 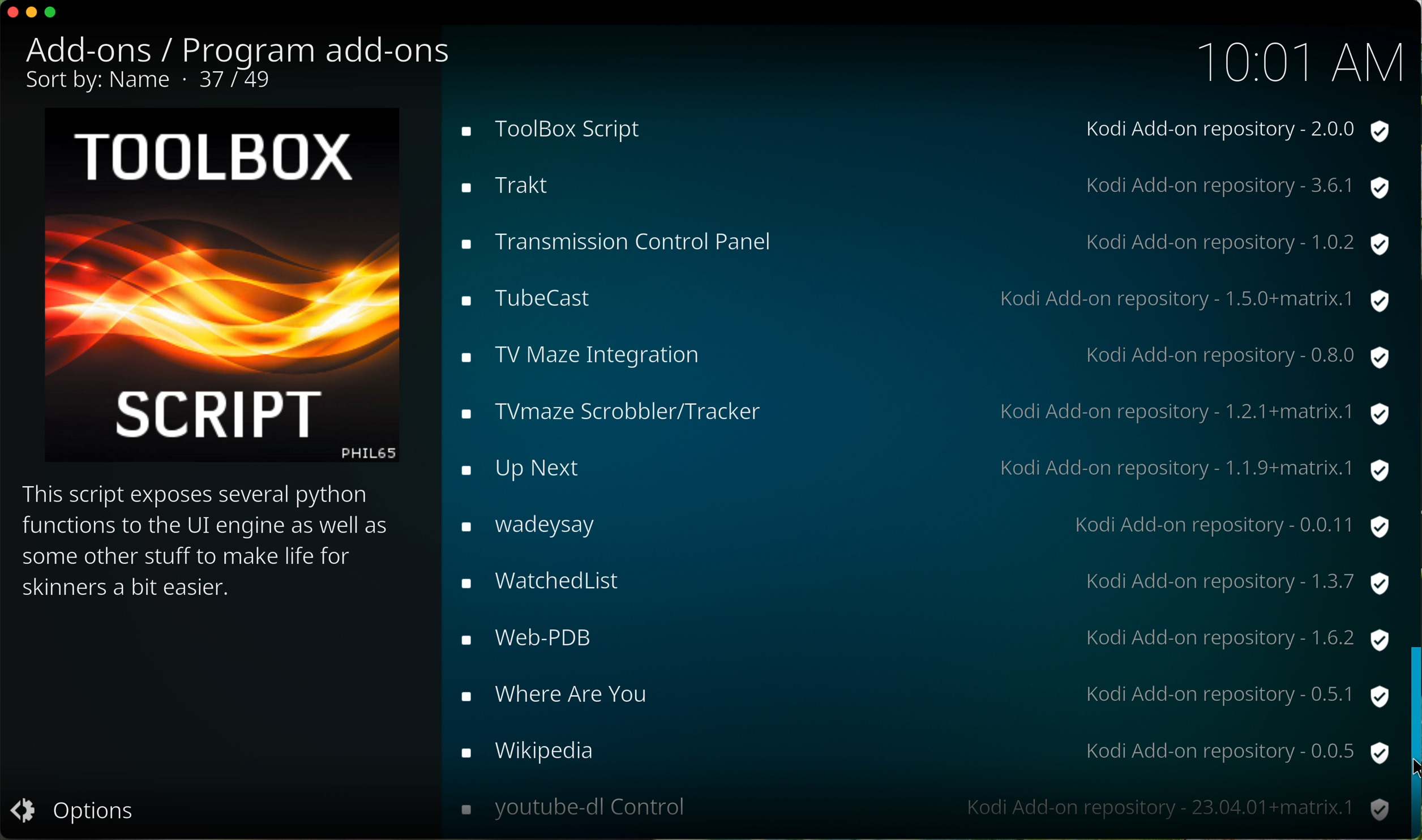 What do you see at coordinates (319, 46) in the screenshot?
I see `program add-ons` at bounding box center [319, 46].